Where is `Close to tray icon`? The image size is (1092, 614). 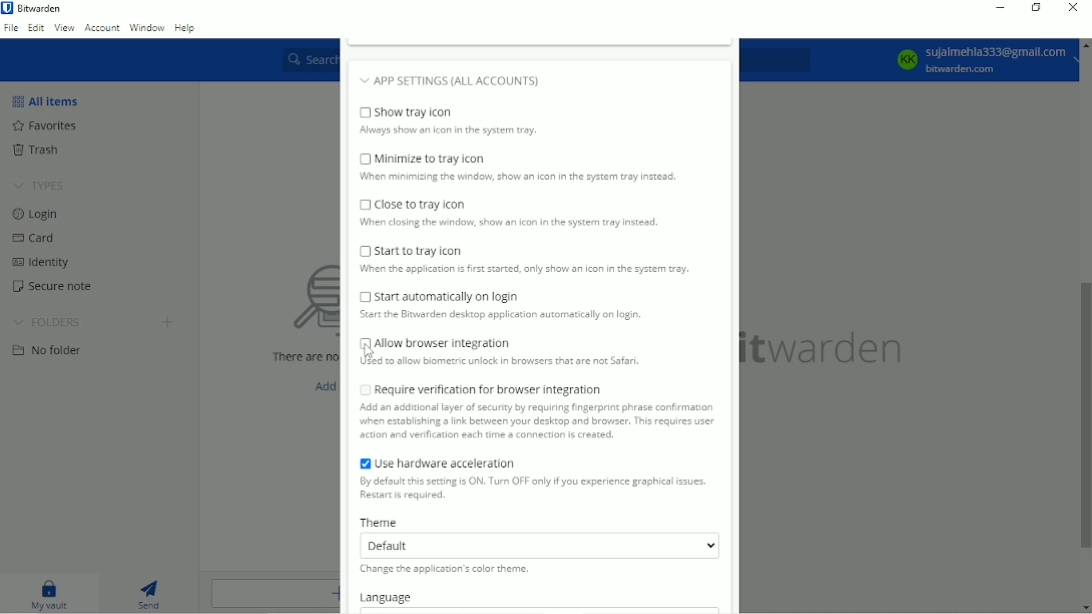
Close to tray icon is located at coordinates (414, 204).